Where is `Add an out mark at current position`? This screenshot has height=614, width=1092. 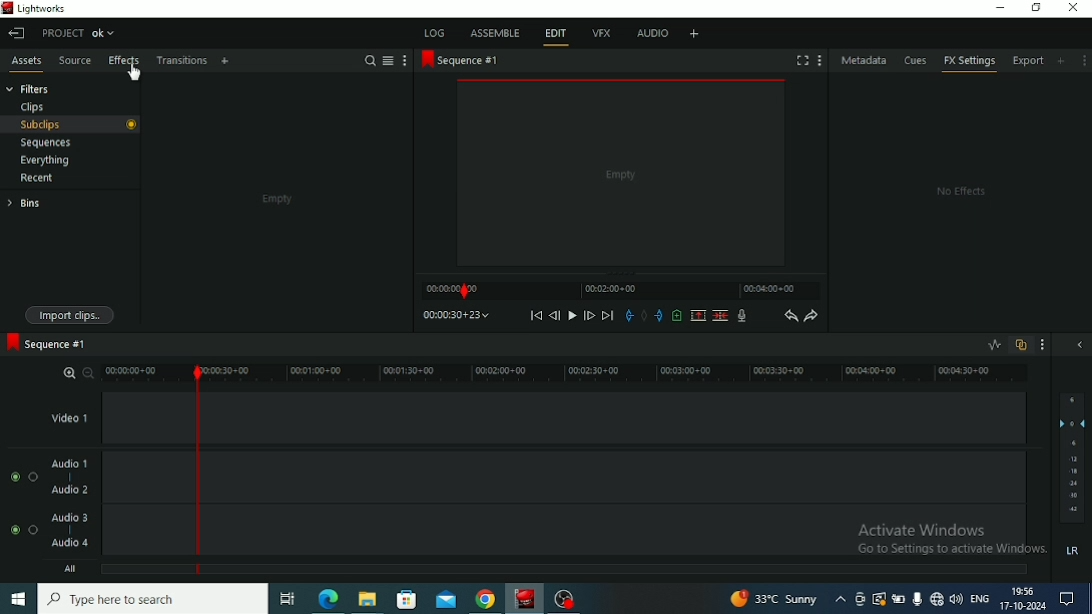 Add an out mark at current position is located at coordinates (659, 316).